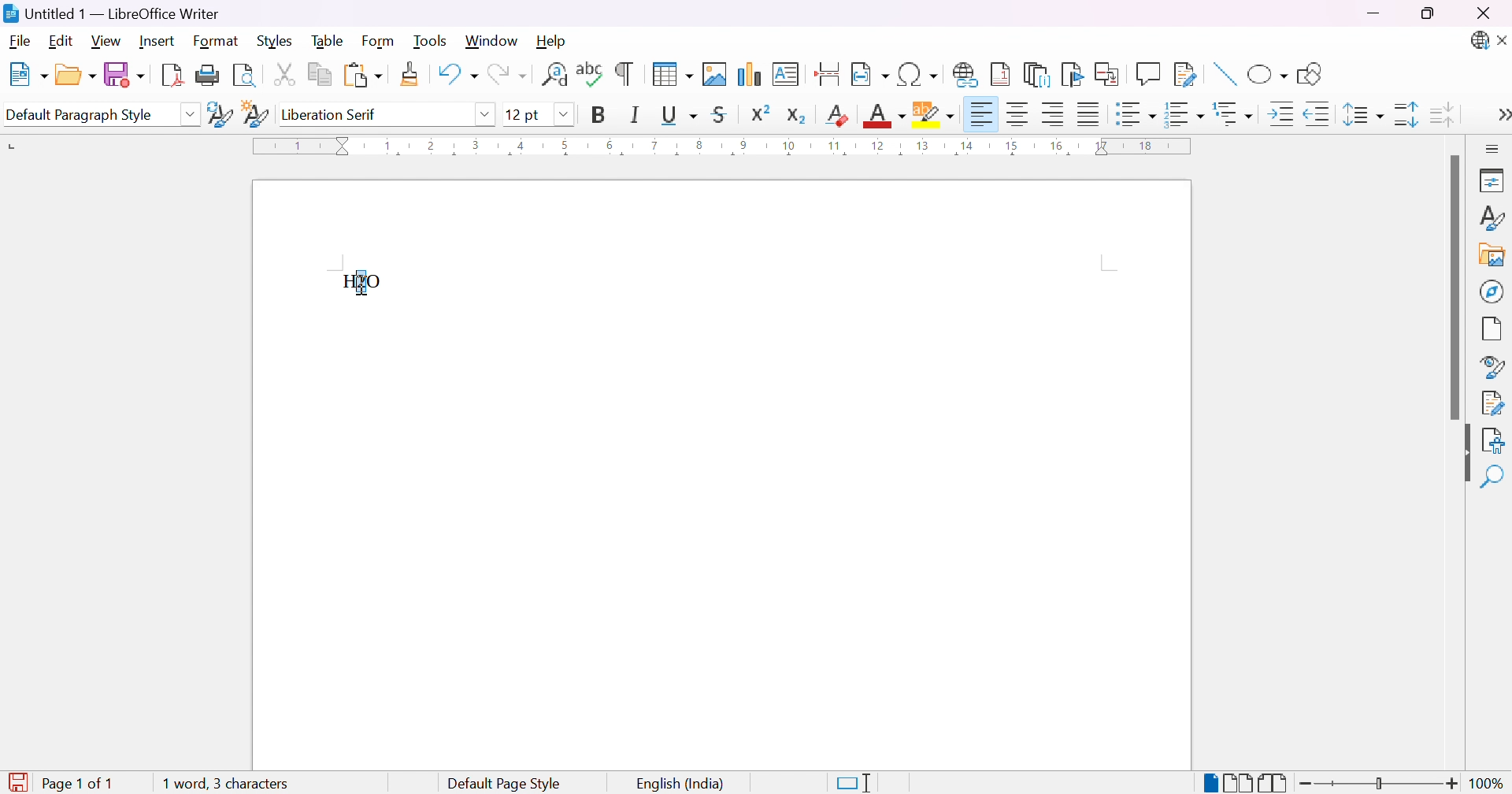  What do you see at coordinates (122, 73) in the screenshot?
I see `Save` at bounding box center [122, 73].